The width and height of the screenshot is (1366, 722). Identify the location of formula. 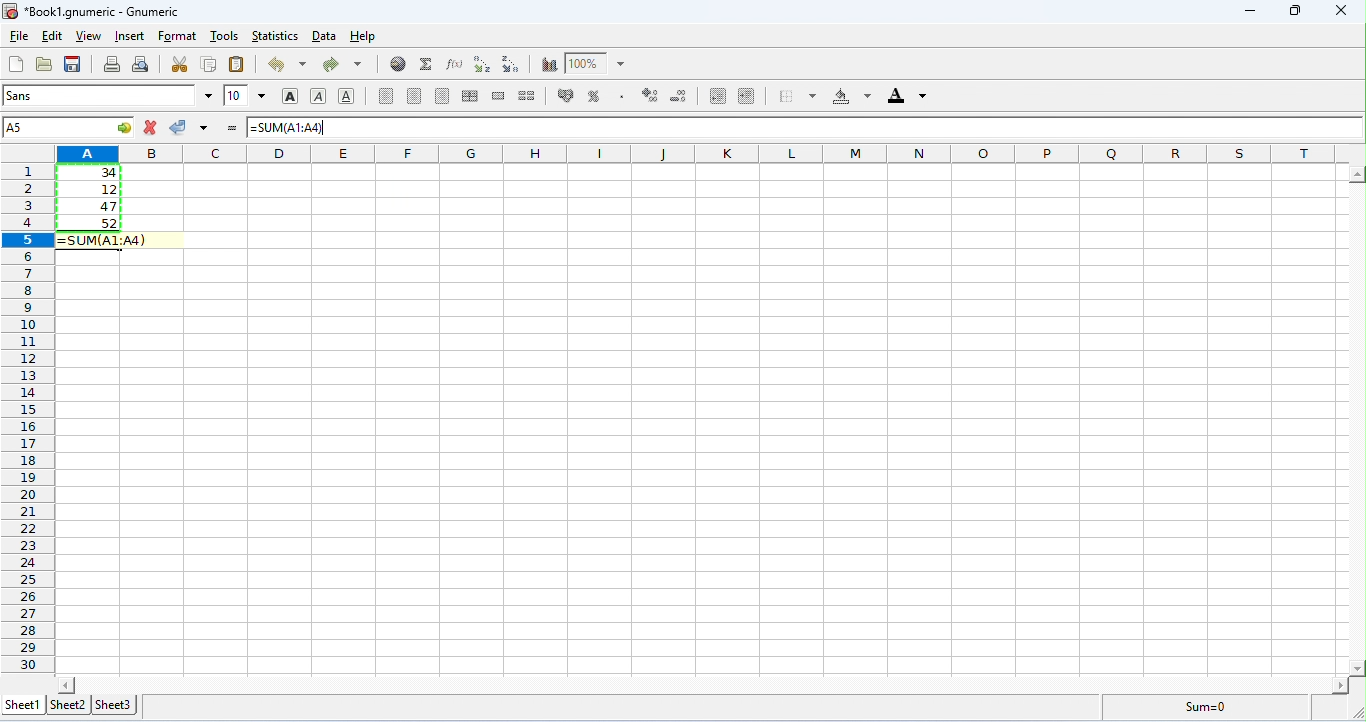
(1206, 706).